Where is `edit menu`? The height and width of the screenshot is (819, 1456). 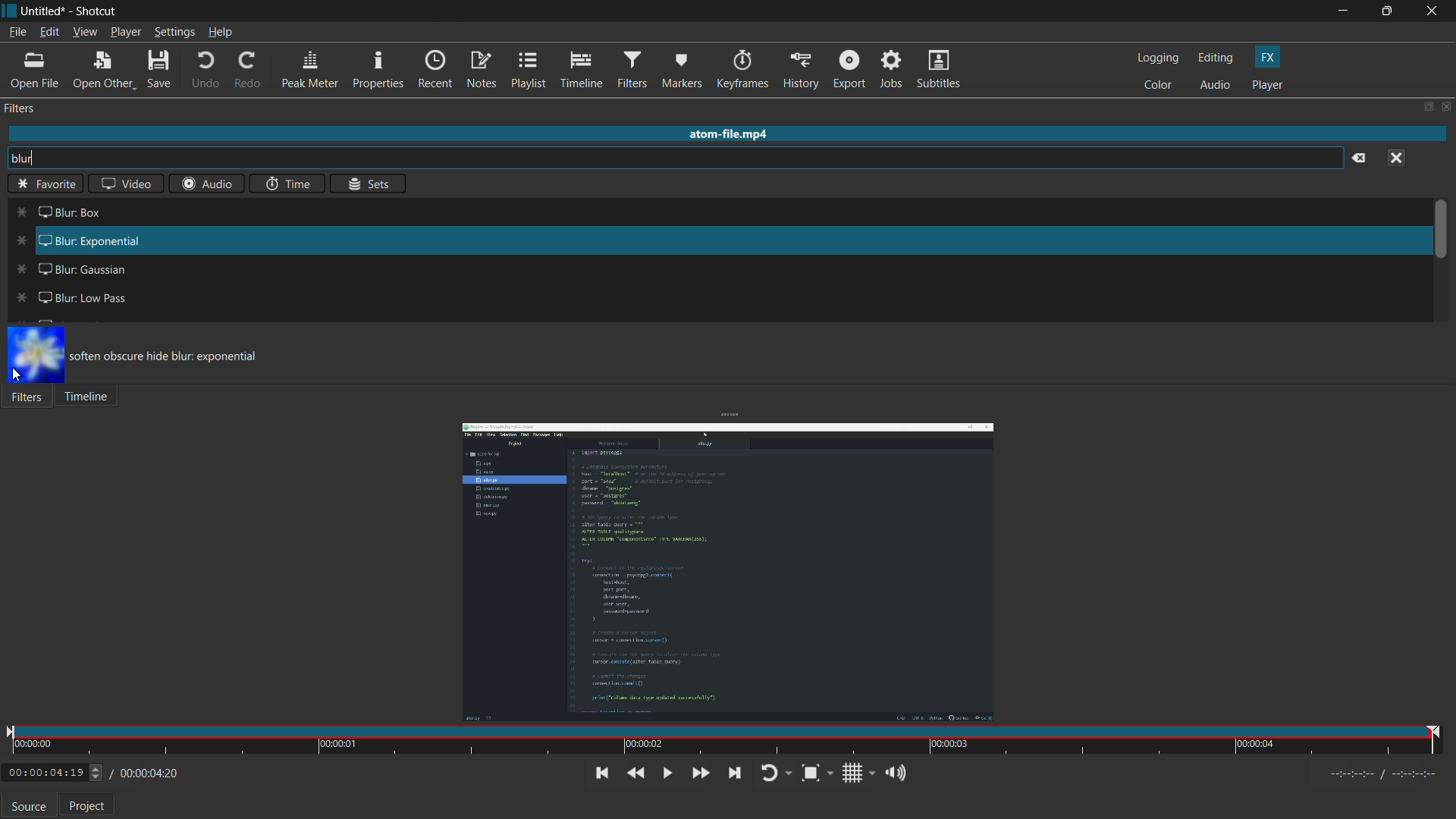
edit menu is located at coordinates (49, 32).